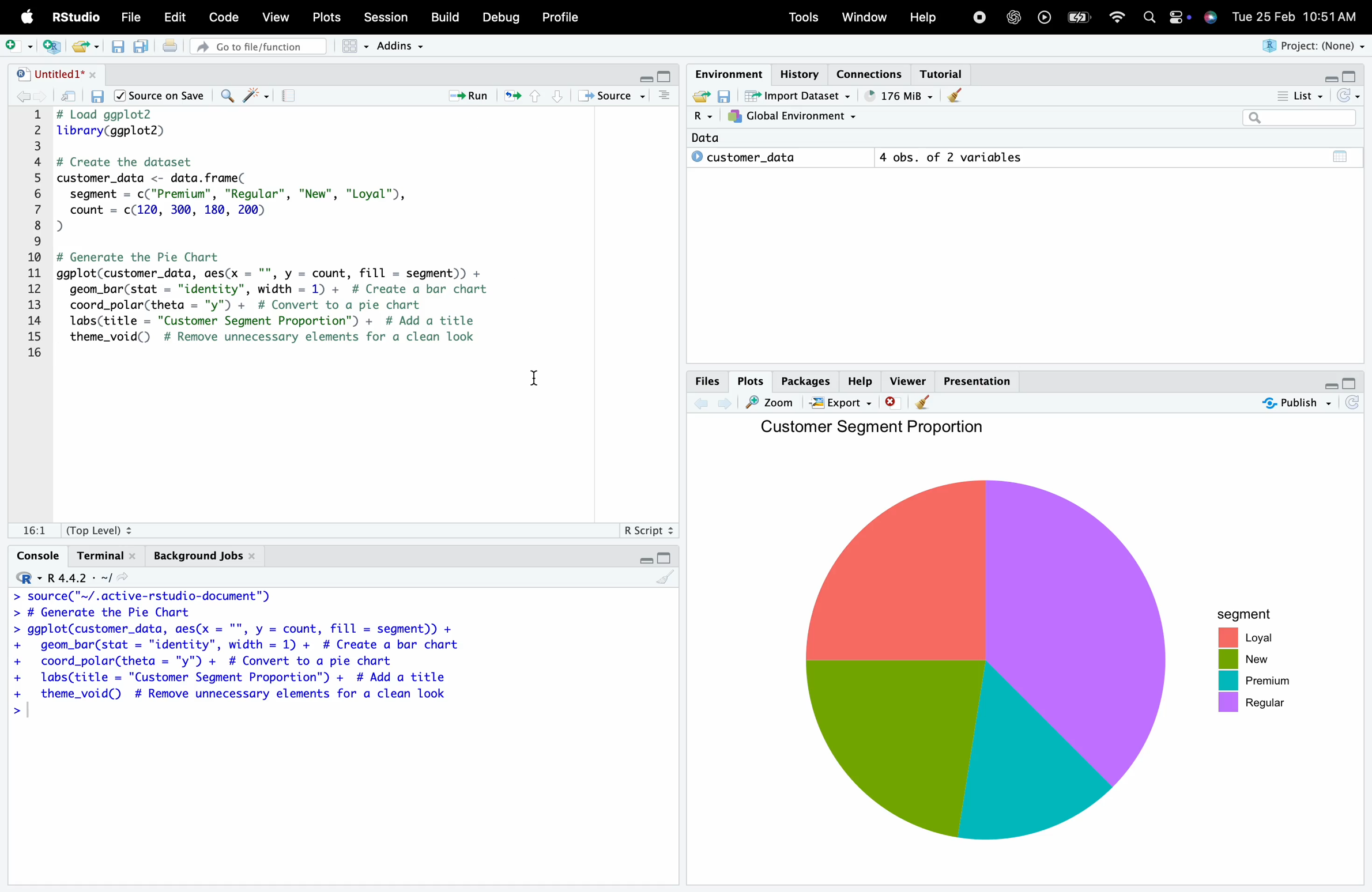  Describe the element at coordinates (666, 581) in the screenshot. I see `clear` at that location.